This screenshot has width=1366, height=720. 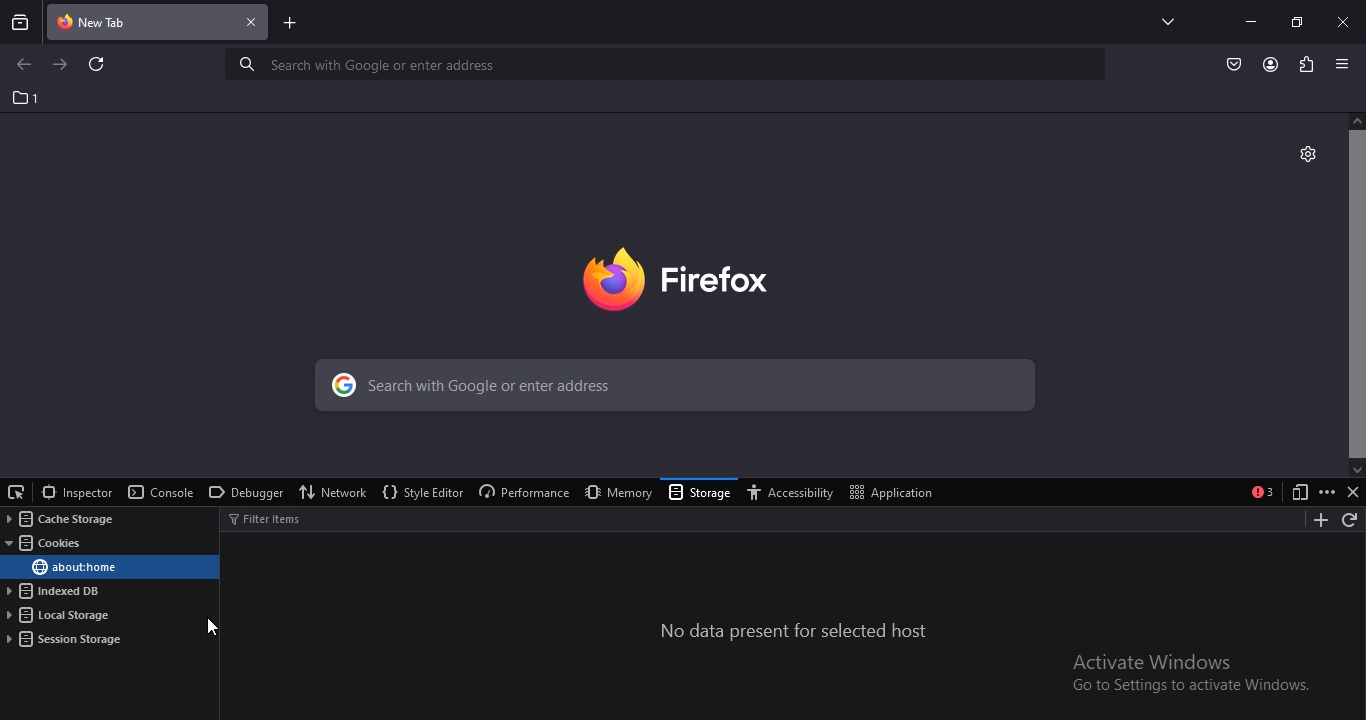 What do you see at coordinates (161, 493) in the screenshot?
I see `console` at bounding box center [161, 493].